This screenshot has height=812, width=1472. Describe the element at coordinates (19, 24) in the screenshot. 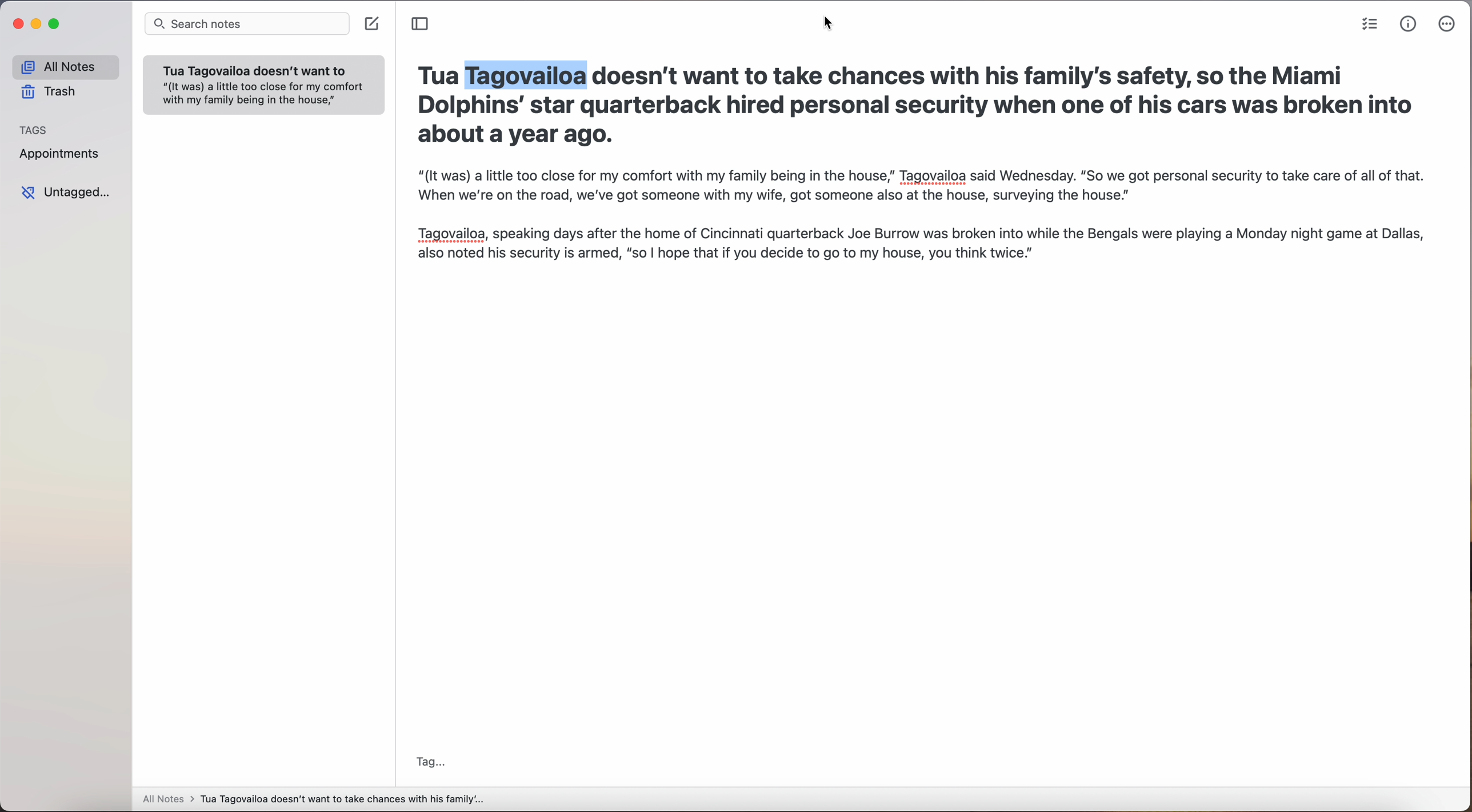

I see `close Simplenote` at that location.